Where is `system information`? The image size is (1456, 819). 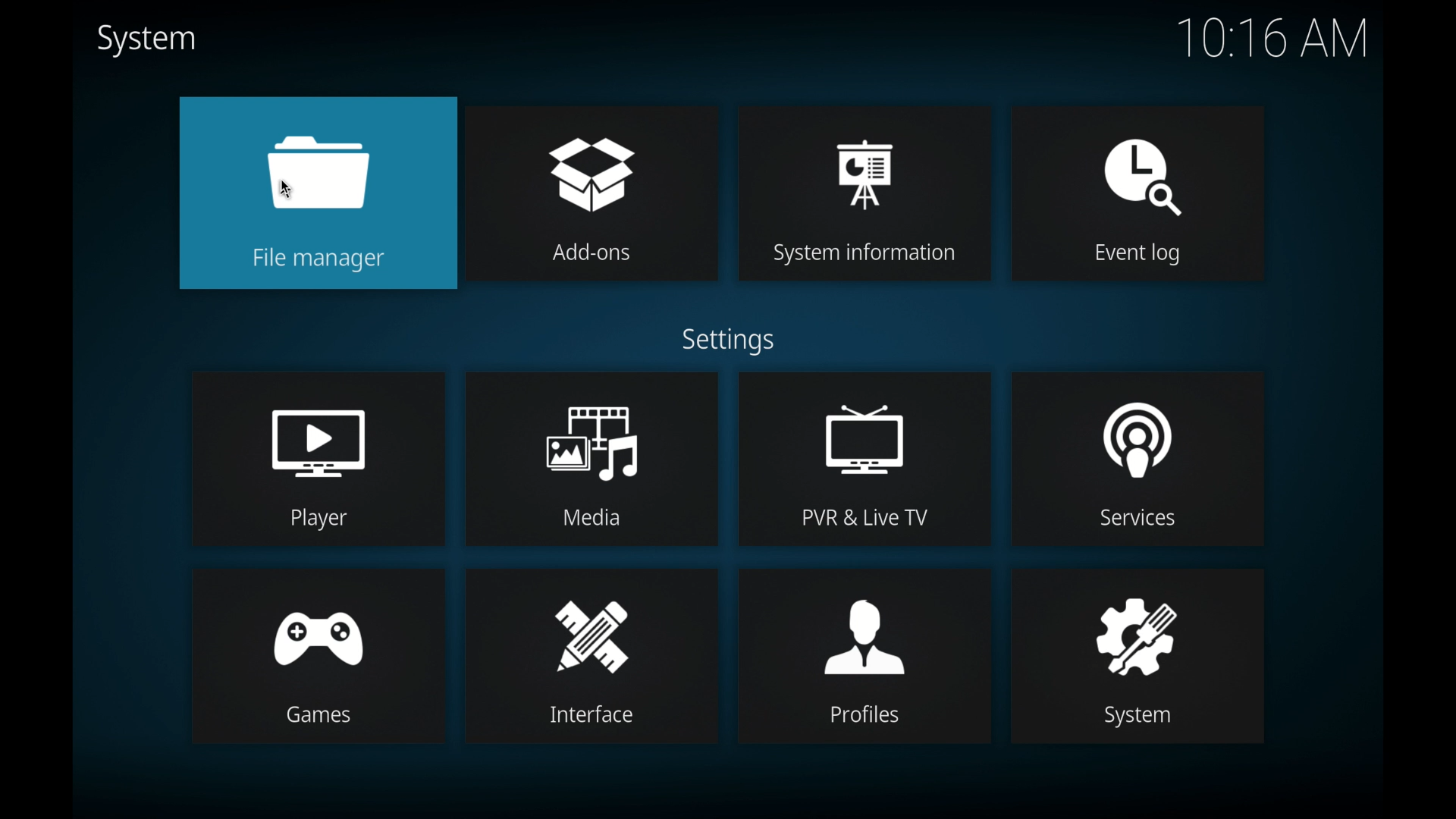 system information is located at coordinates (864, 193).